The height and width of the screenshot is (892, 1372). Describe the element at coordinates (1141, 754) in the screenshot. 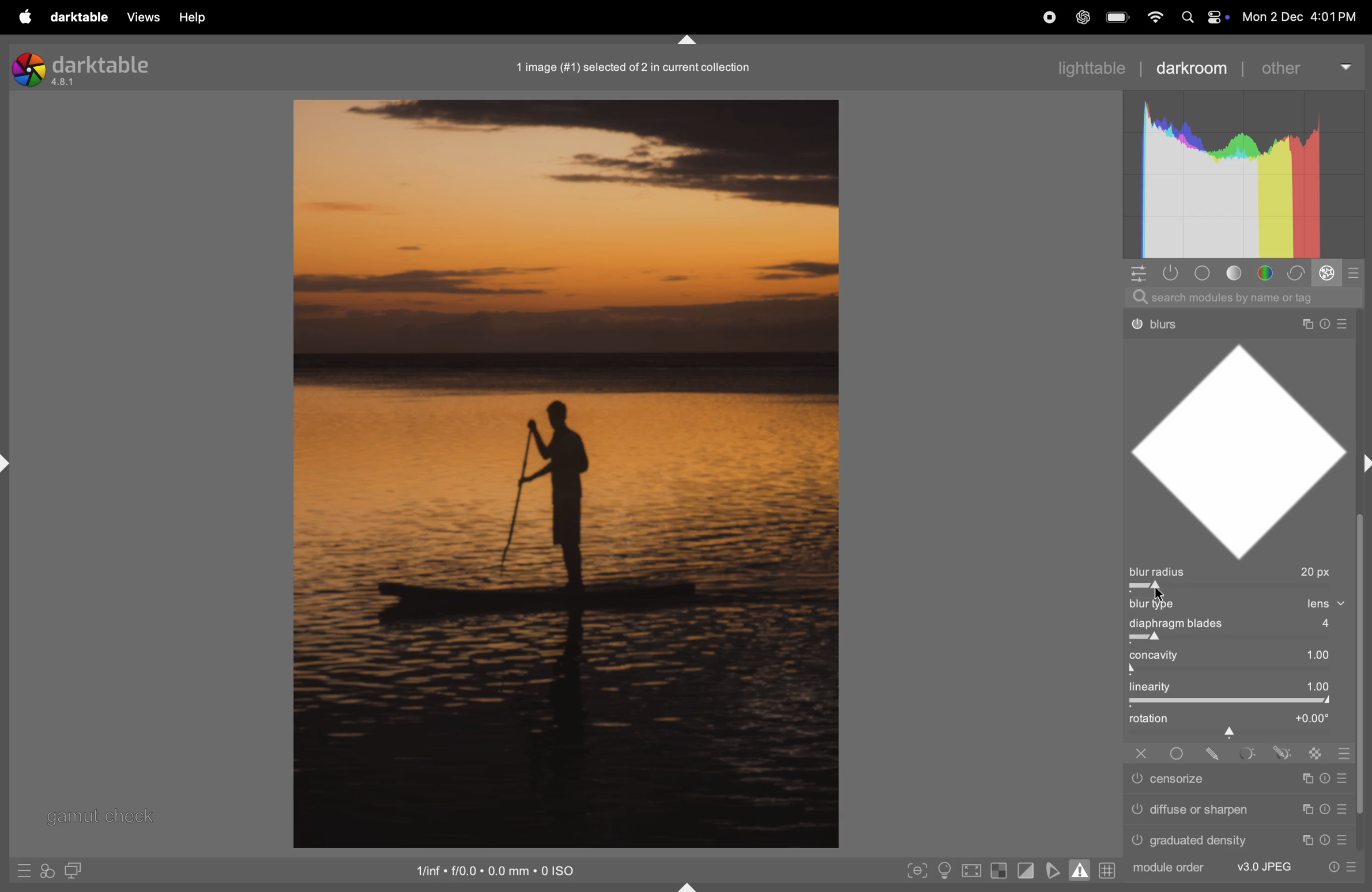

I see `` at that location.